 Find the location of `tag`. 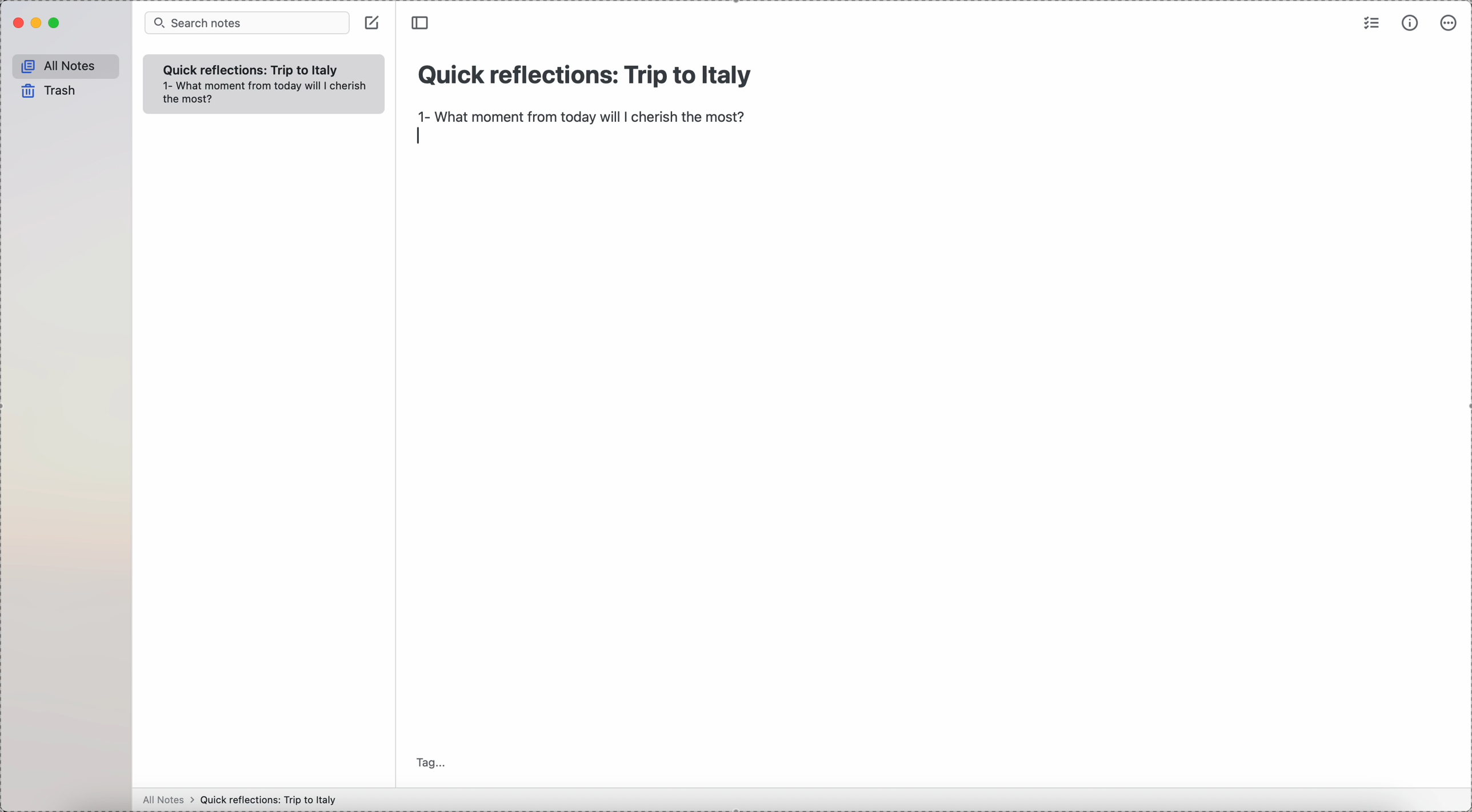

tag is located at coordinates (431, 762).